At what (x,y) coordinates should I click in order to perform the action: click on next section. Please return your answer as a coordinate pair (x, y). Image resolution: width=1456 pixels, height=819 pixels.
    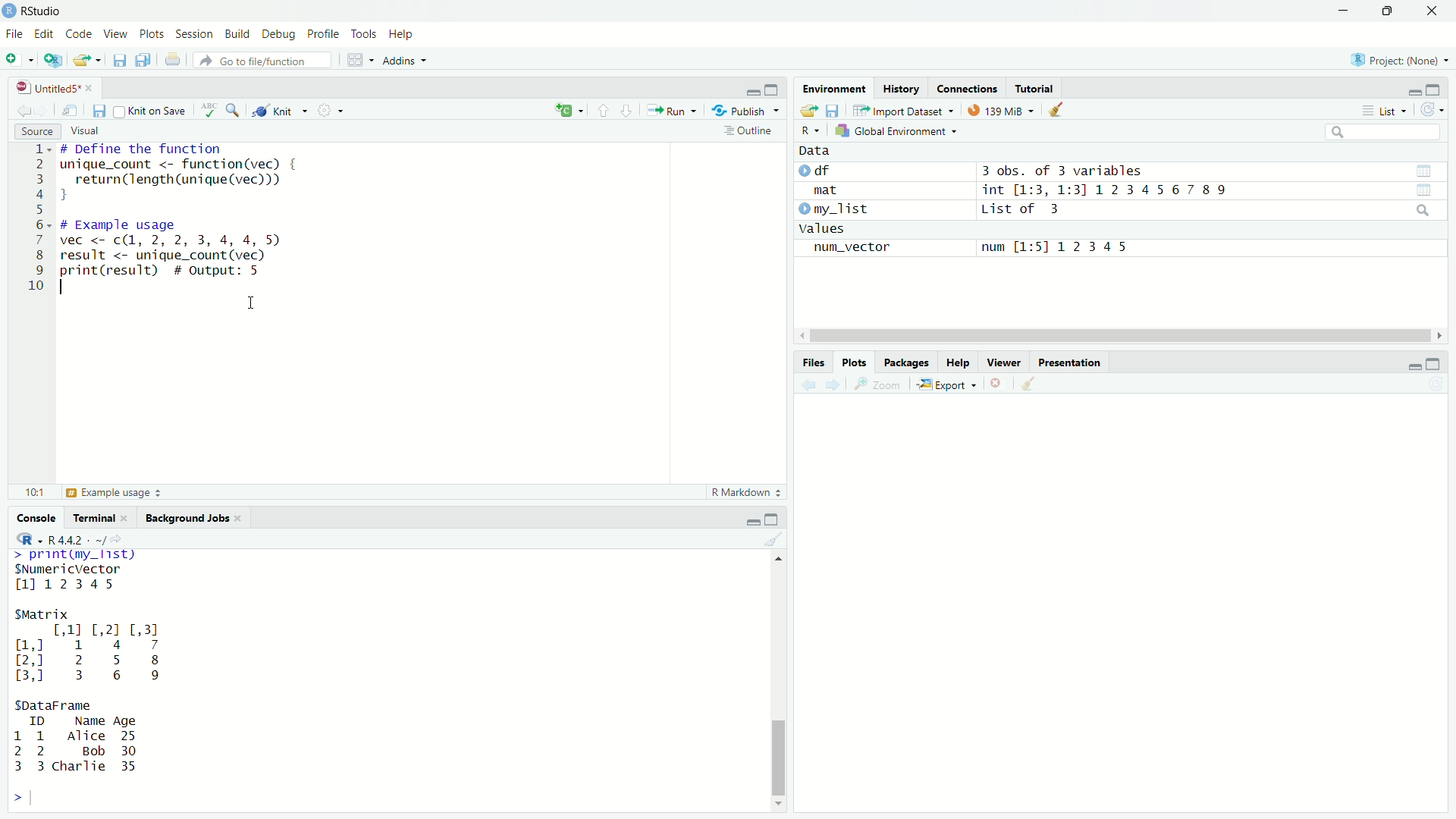
    Looking at the image, I should click on (626, 111).